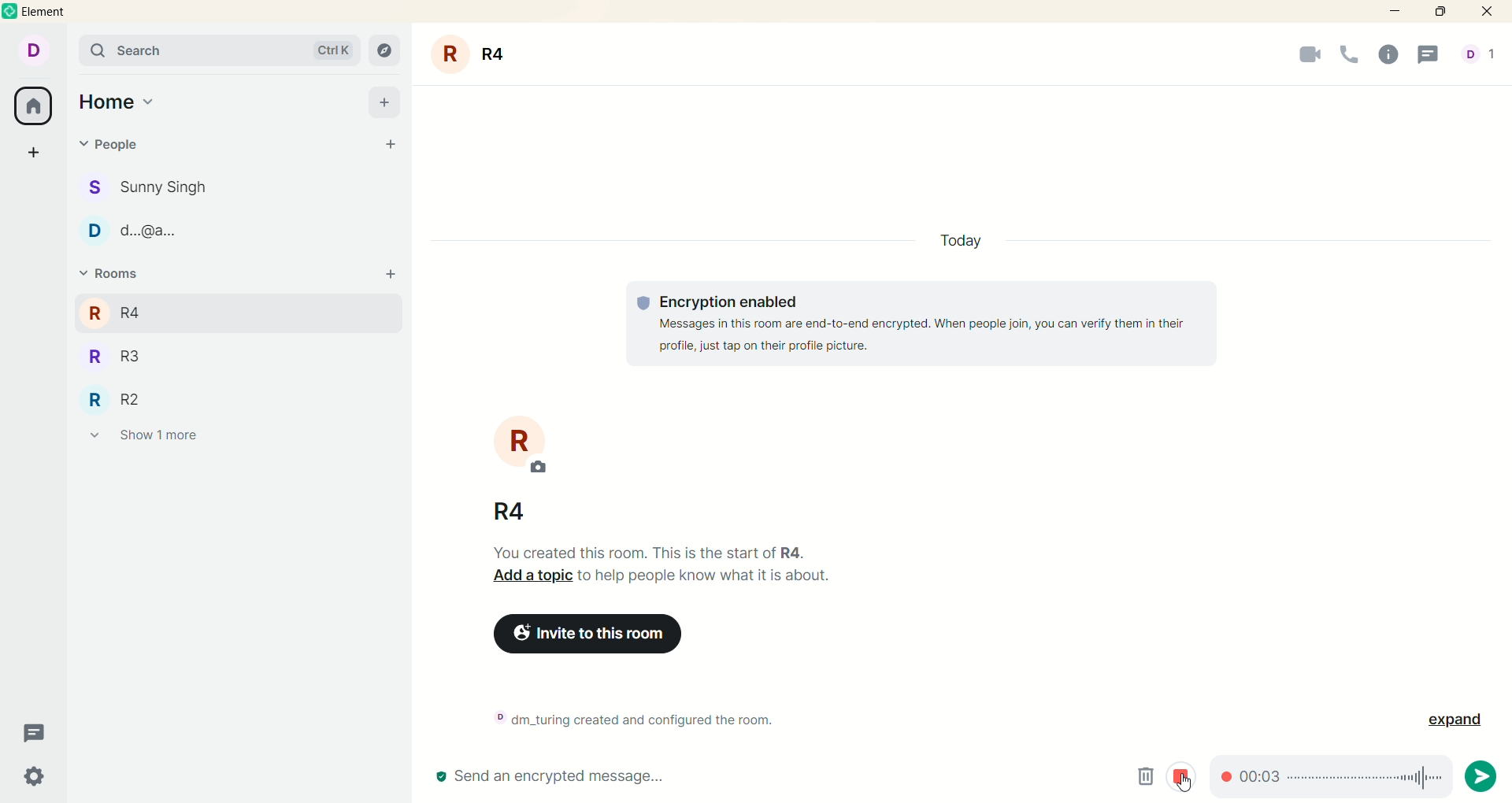 Image resolution: width=1512 pixels, height=803 pixels. What do you see at coordinates (643, 717) in the screenshot?
I see `text` at bounding box center [643, 717].